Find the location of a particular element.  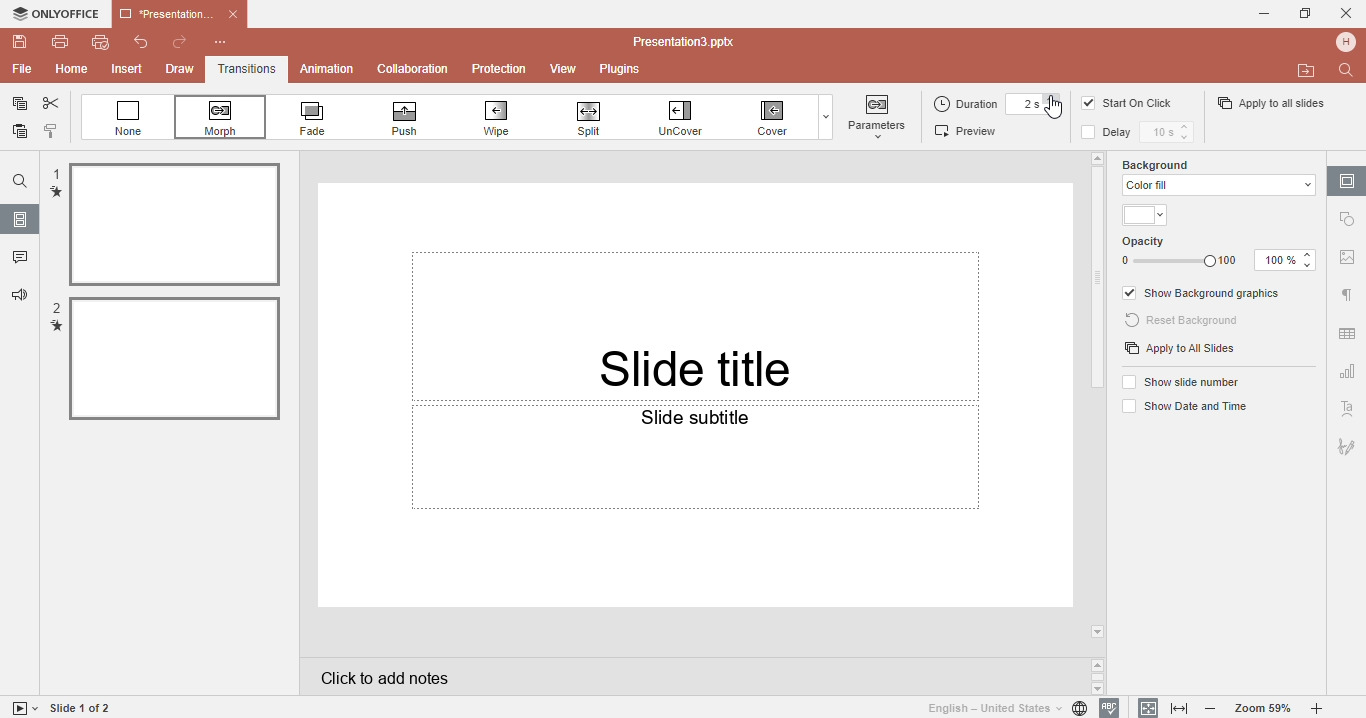

Paragraph settings is located at coordinates (1346, 295).